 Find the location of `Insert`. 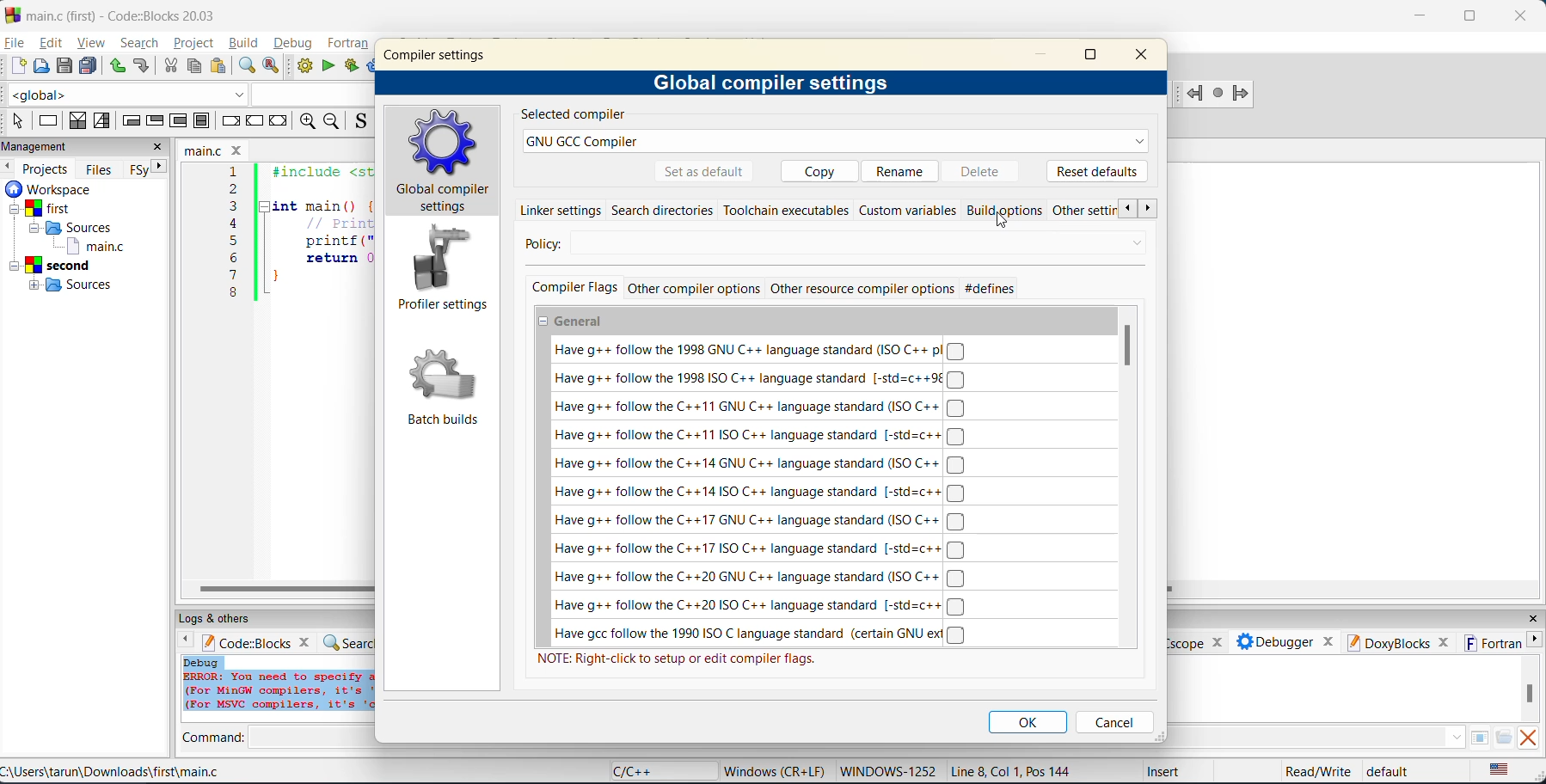

Insert is located at coordinates (1162, 770).